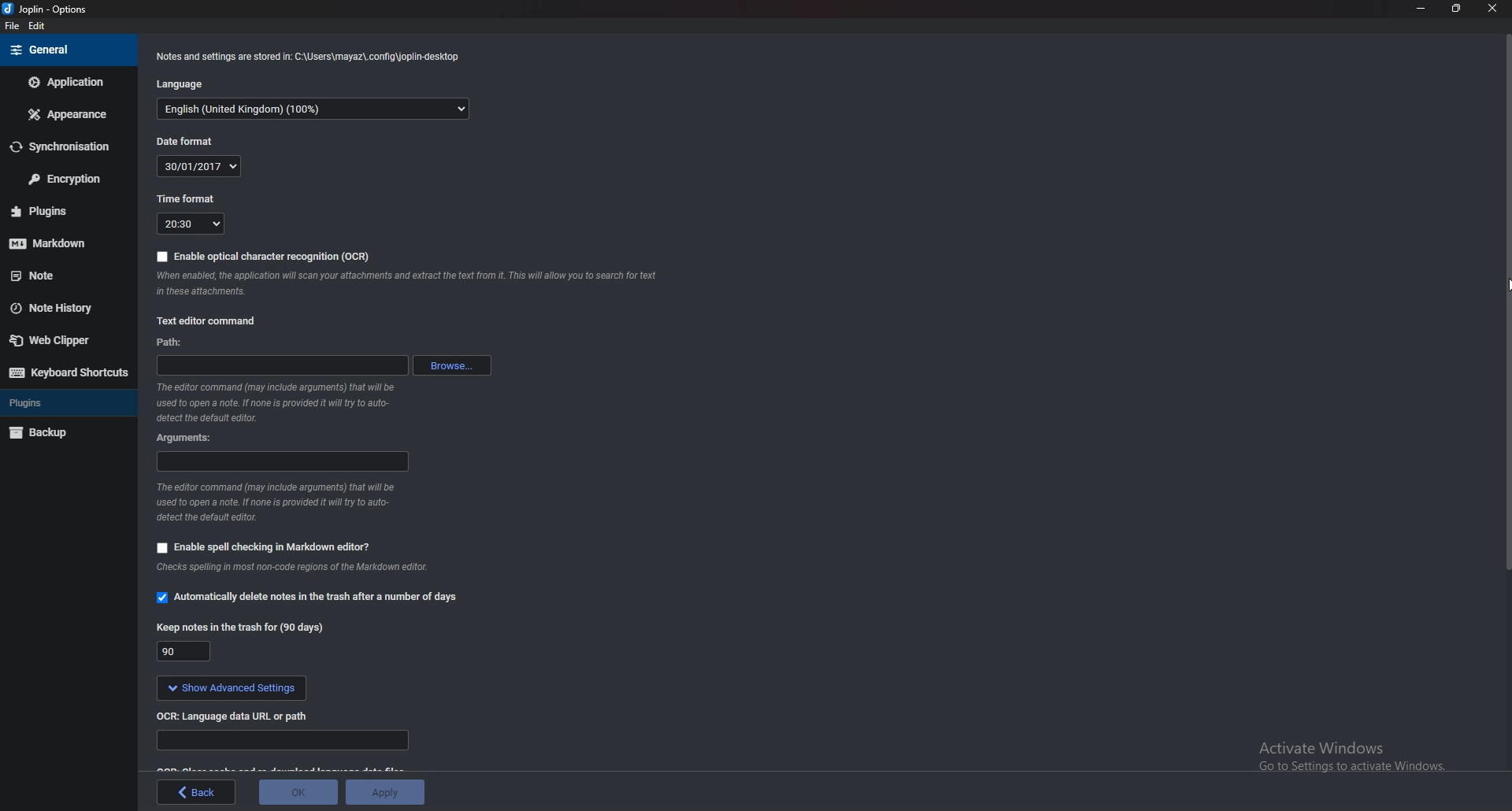 This screenshot has height=811, width=1512. I want to click on show advanced settings, so click(232, 688).